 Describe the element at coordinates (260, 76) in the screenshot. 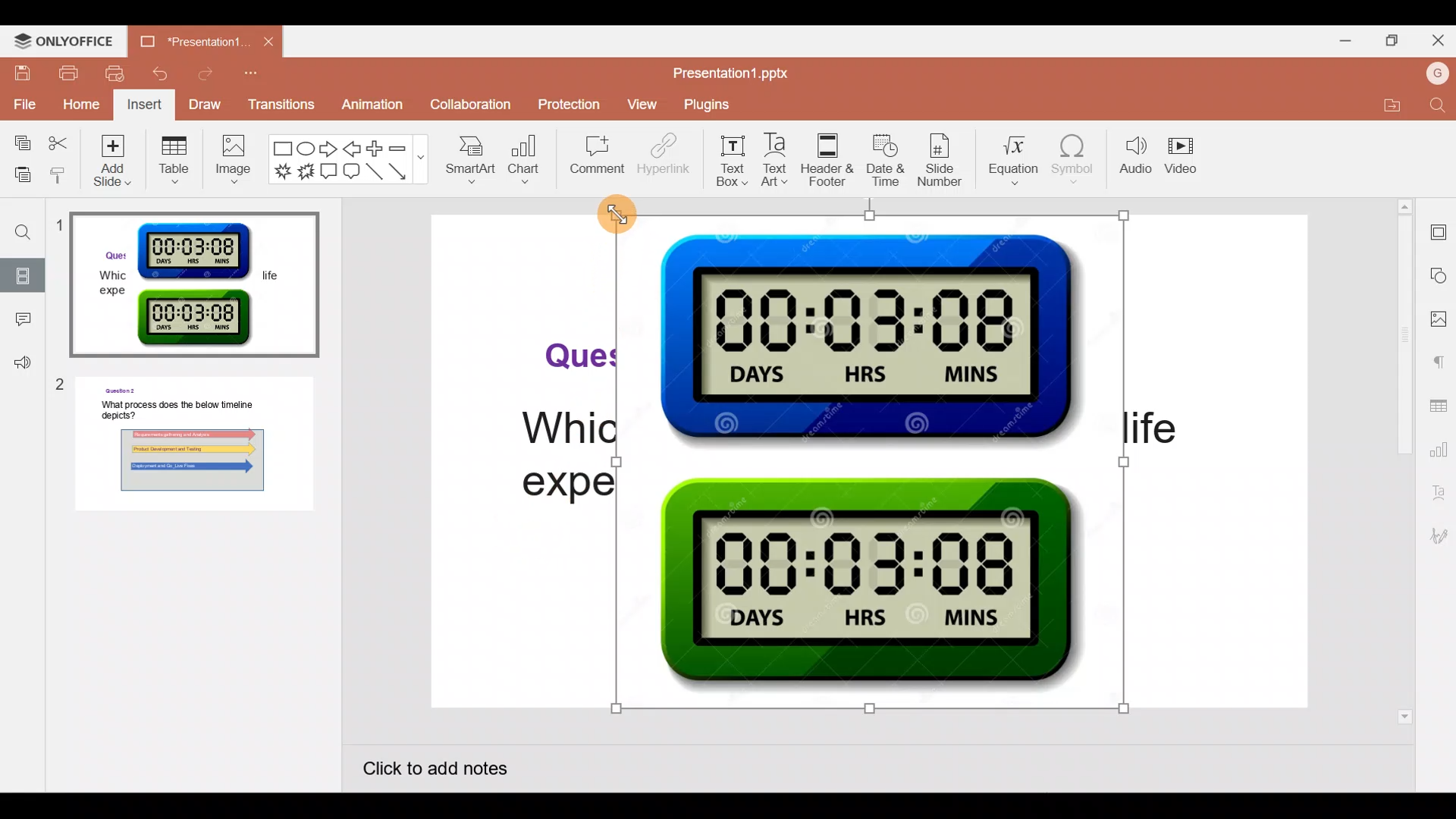

I see `Customize quick access toolbar` at that location.